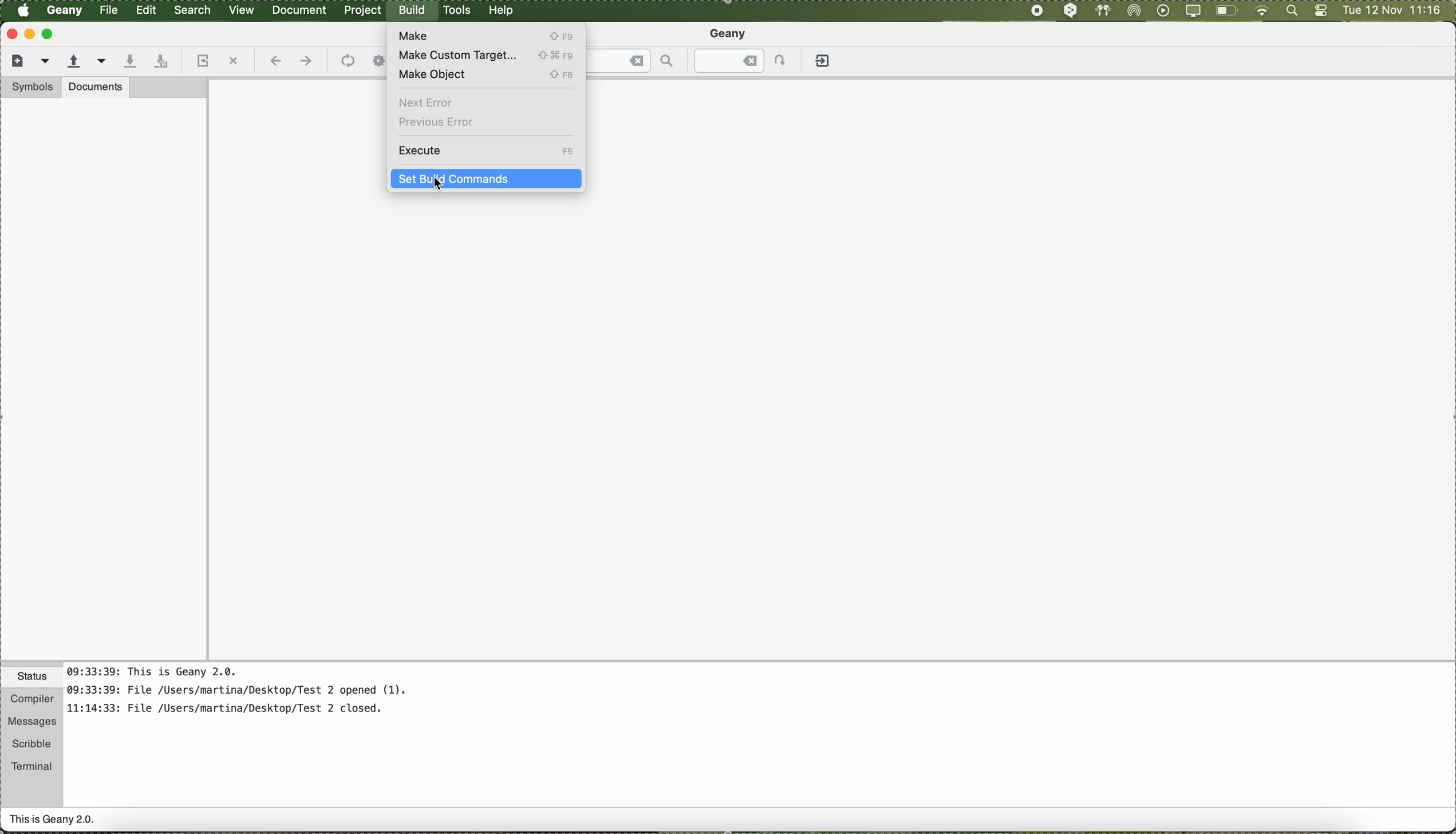 This screenshot has height=834, width=1456. What do you see at coordinates (428, 103) in the screenshot?
I see `next error` at bounding box center [428, 103].